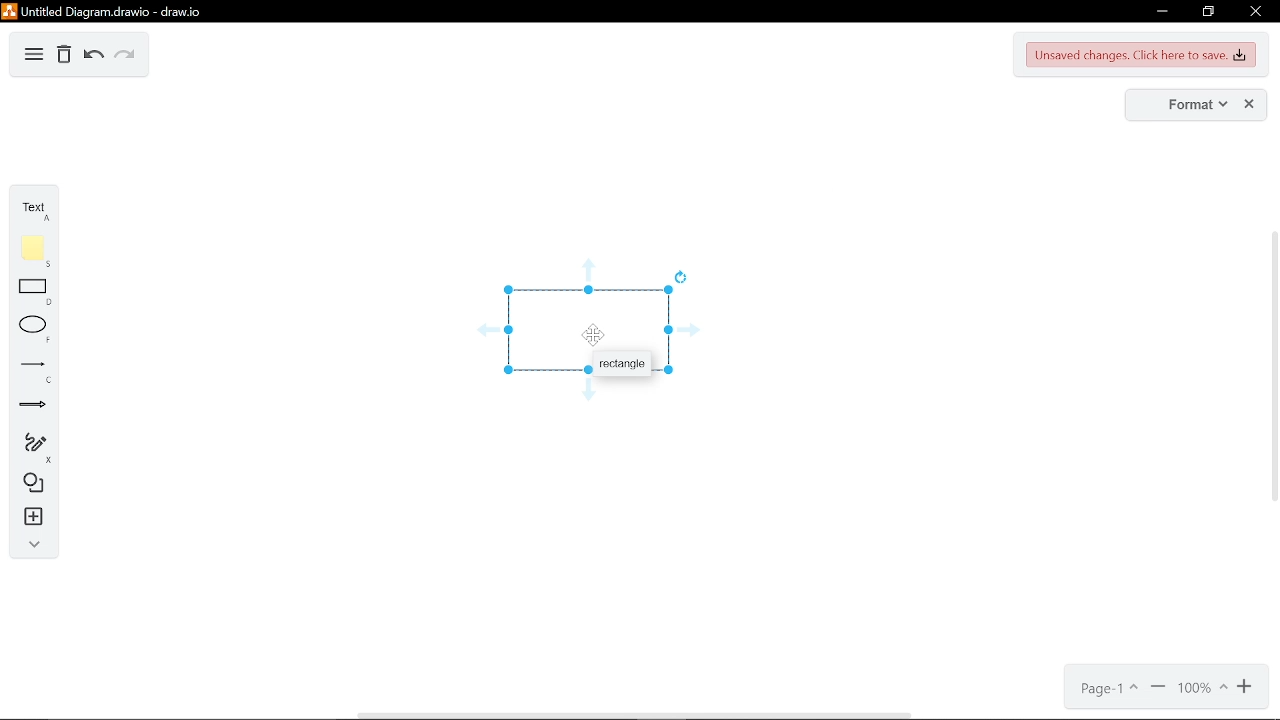 Image resolution: width=1280 pixels, height=720 pixels. I want to click on shapes, so click(36, 485).